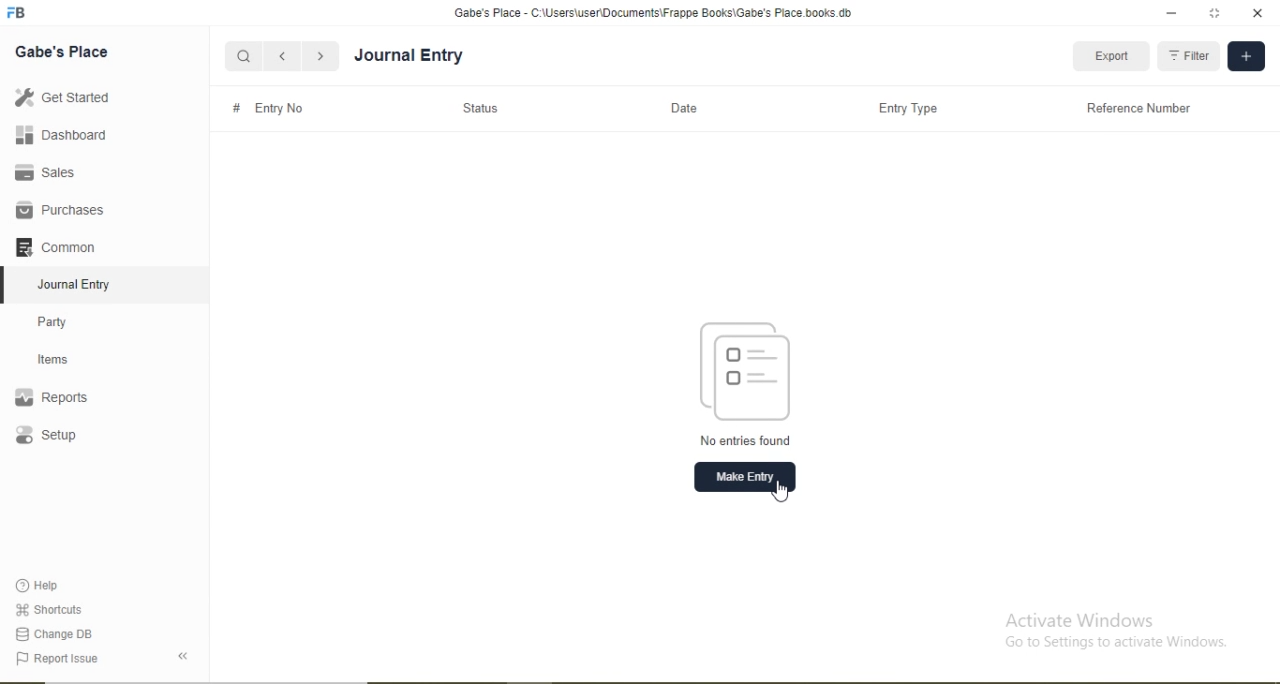 This screenshot has height=684, width=1280. I want to click on ‘Report Issue, so click(78, 659).